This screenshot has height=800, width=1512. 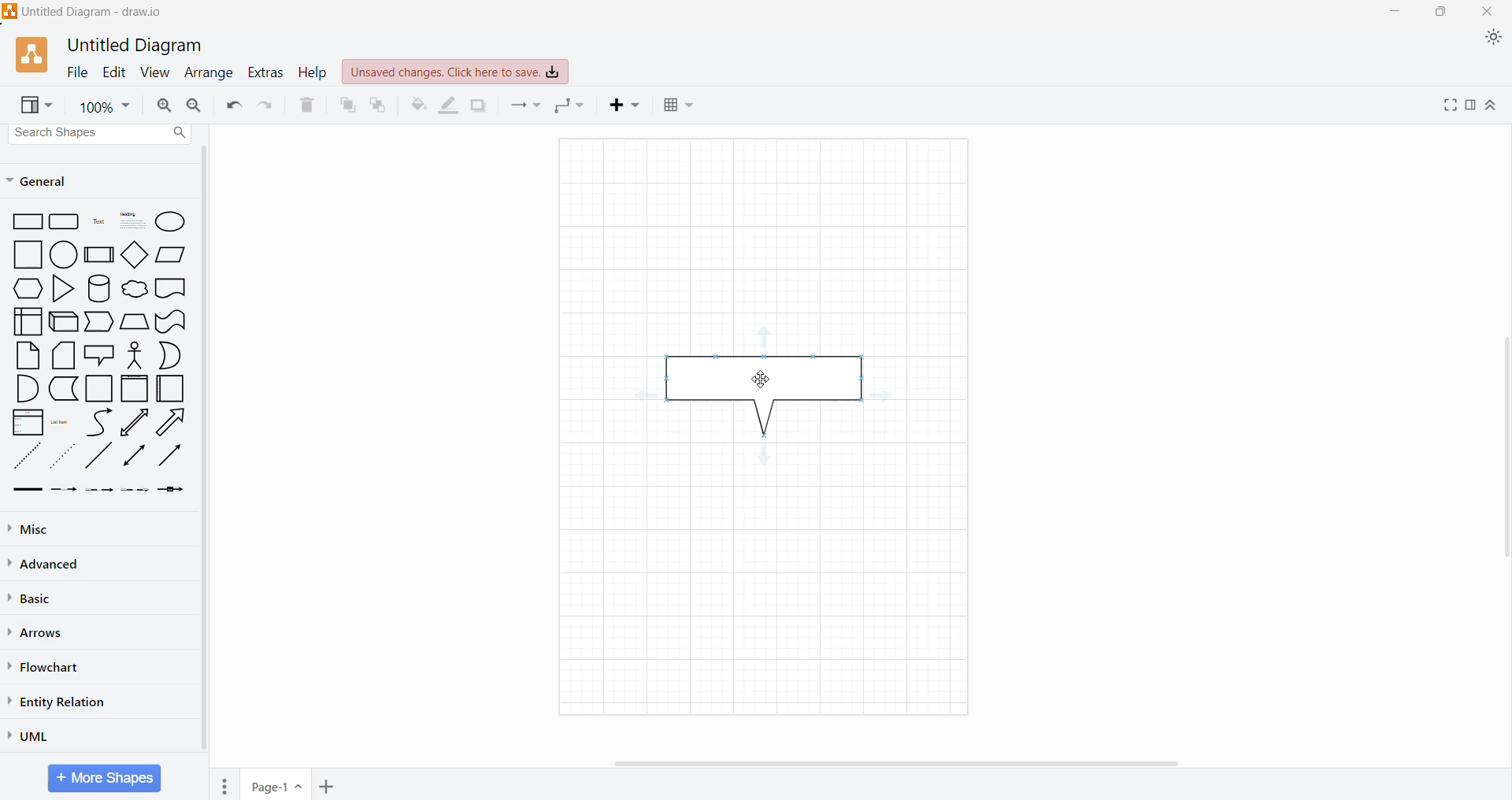 What do you see at coordinates (1493, 106) in the screenshot?
I see `Expand/Collapse` at bounding box center [1493, 106].